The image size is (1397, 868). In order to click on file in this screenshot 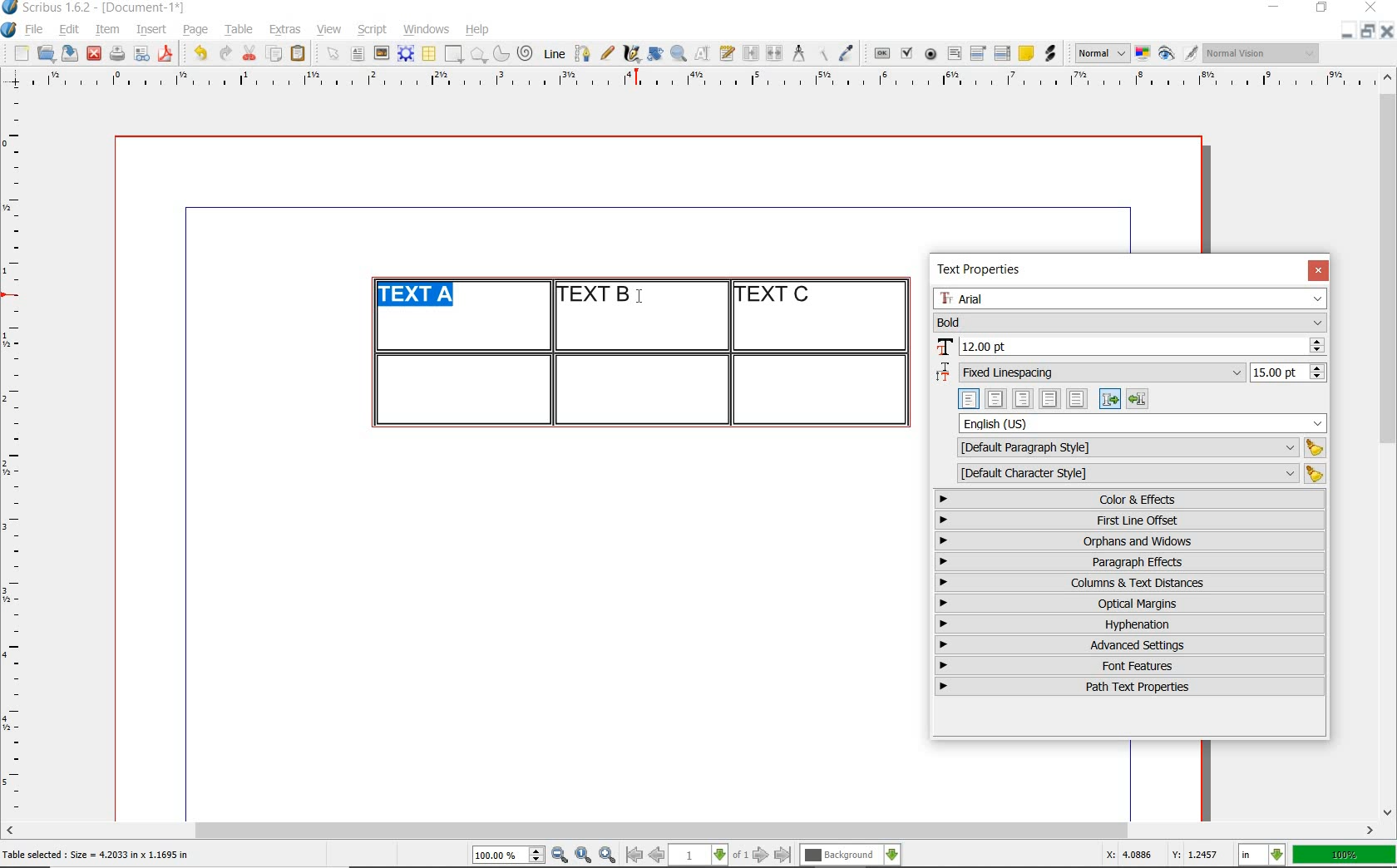, I will do `click(36, 30)`.